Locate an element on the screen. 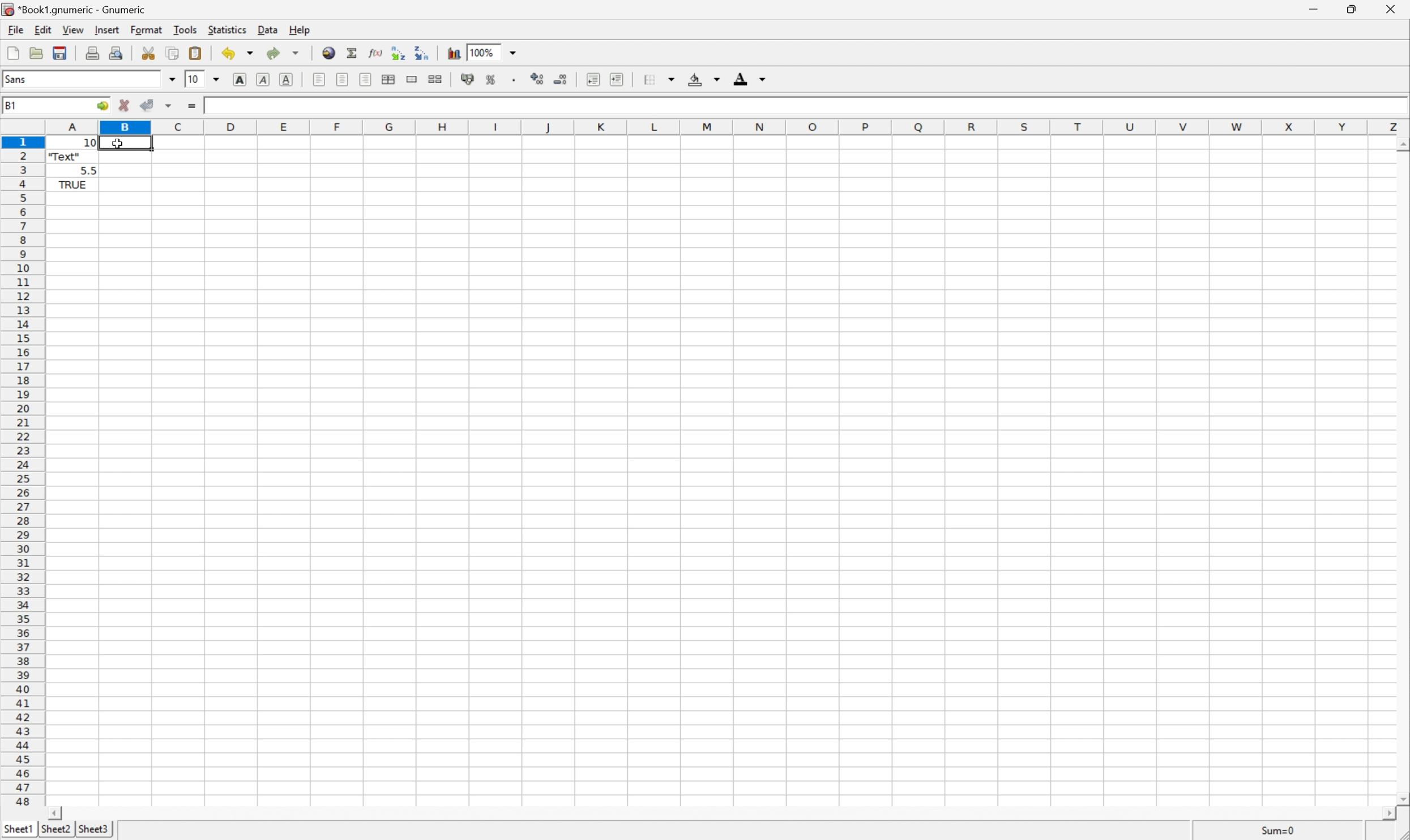  Decrease number of decimals displayed is located at coordinates (562, 80).